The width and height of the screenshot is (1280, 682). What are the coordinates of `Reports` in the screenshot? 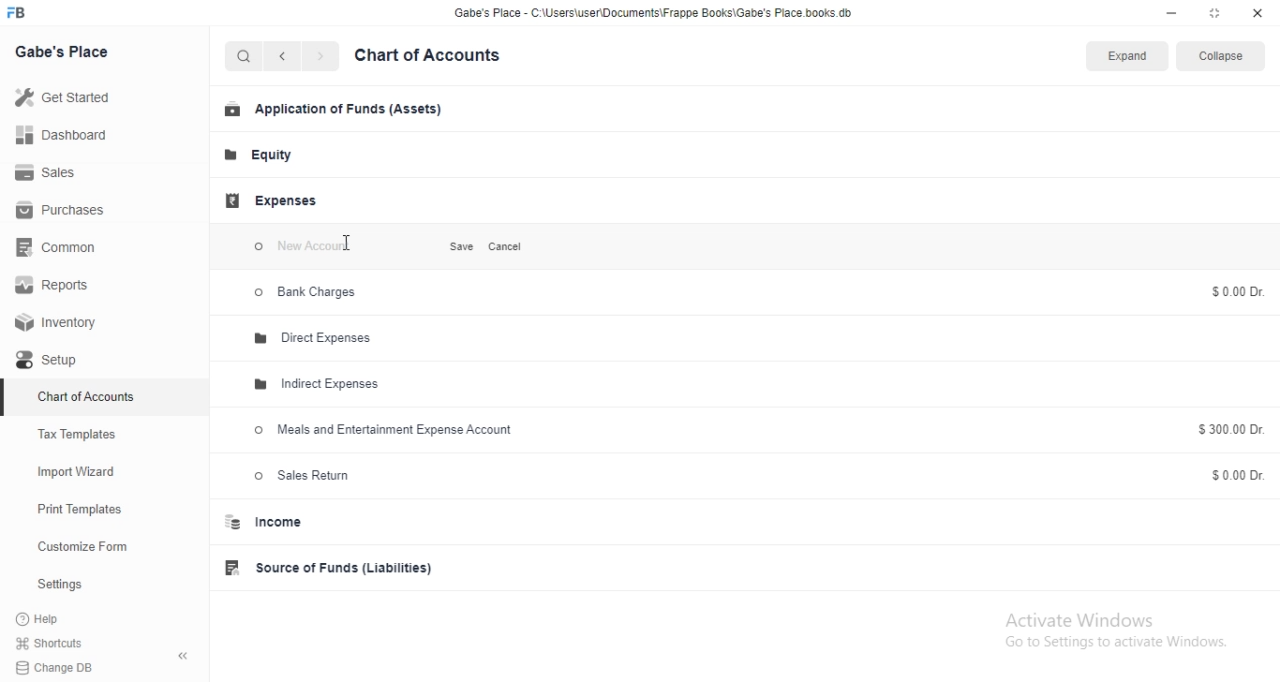 It's located at (57, 286).